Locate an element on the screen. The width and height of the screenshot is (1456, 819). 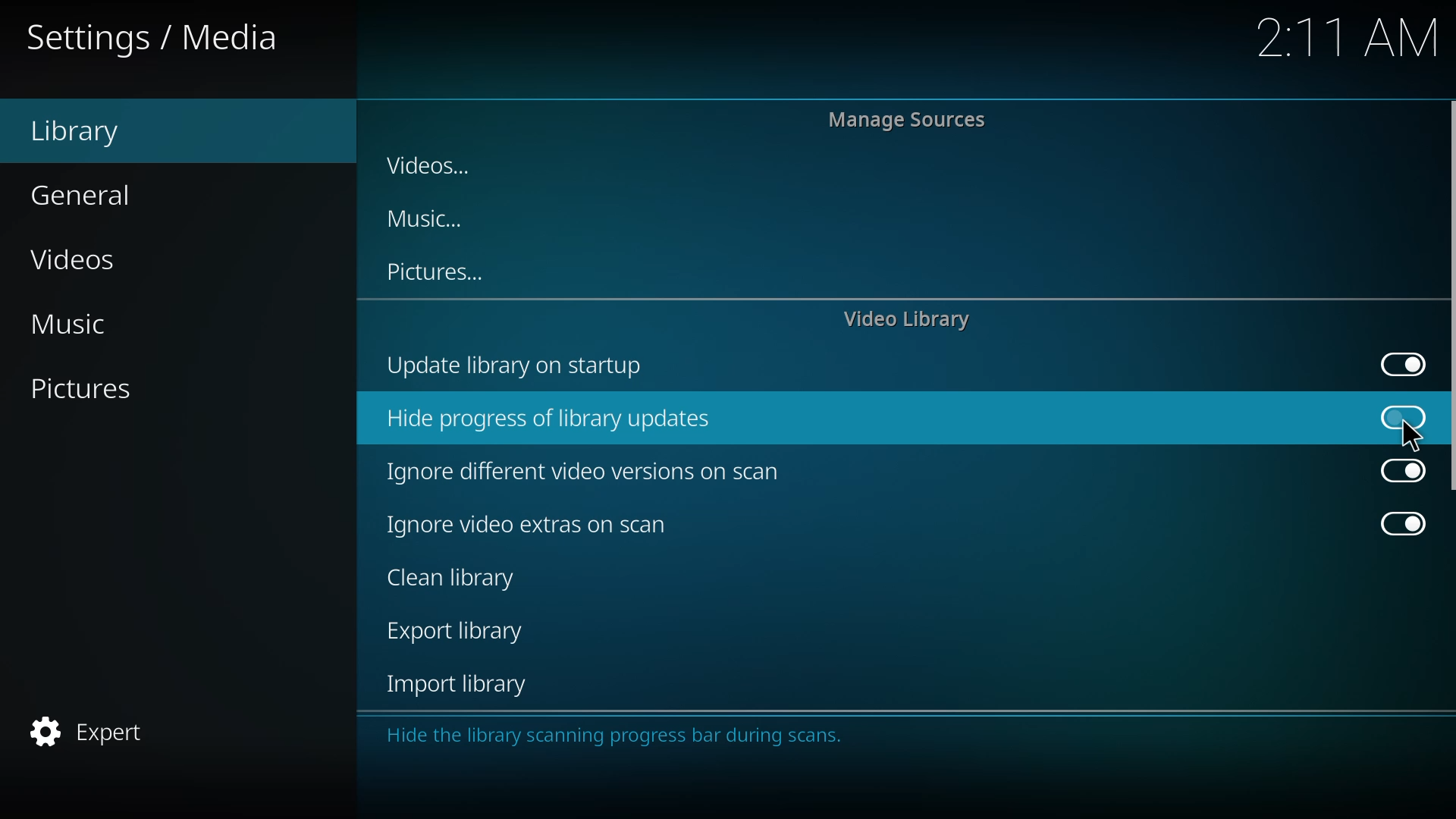
time is located at coordinates (1347, 37).